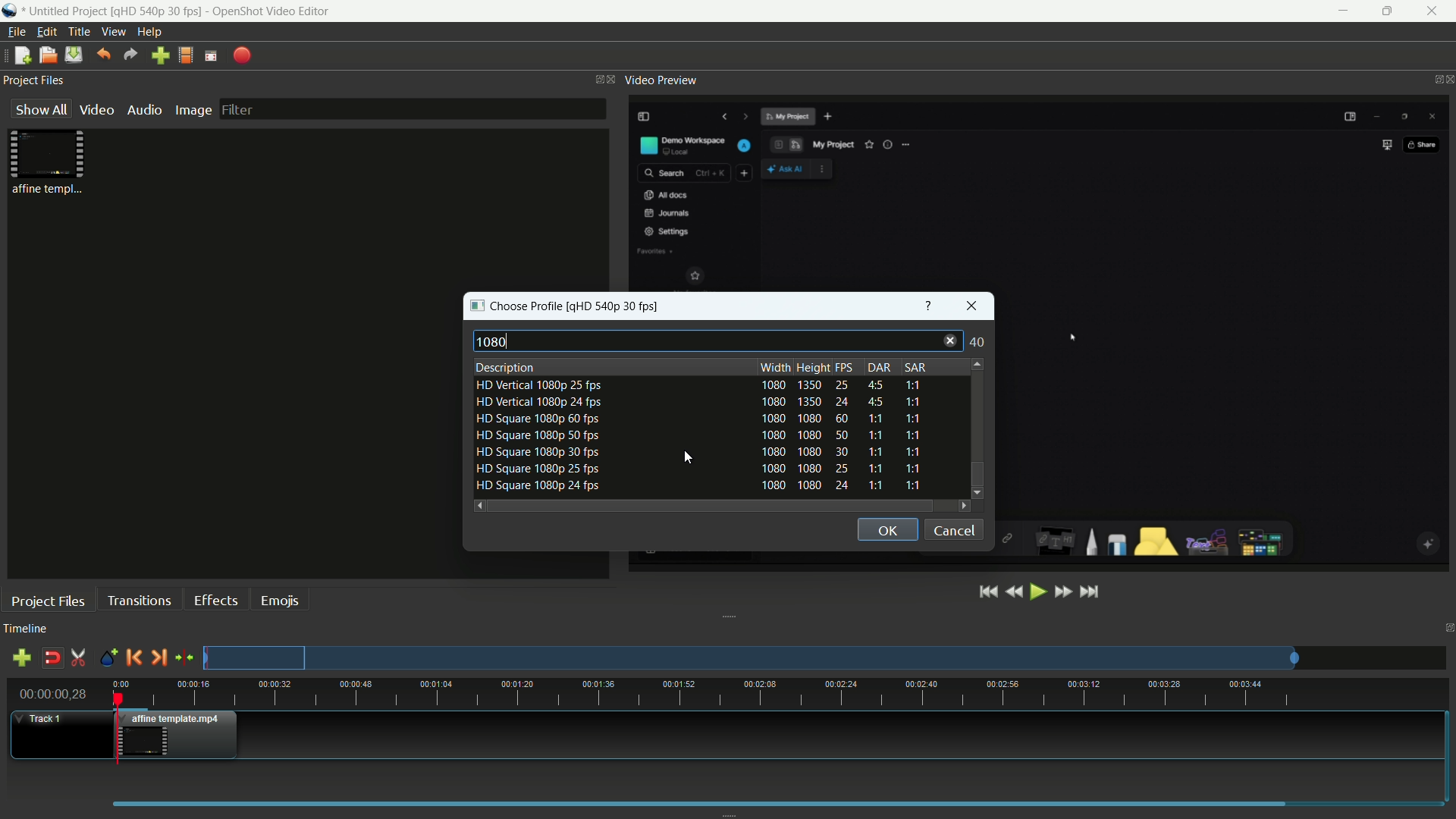 The height and width of the screenshot is (819, 1456). What do you see at coordinates (1438, 11) in the screenshot?
I see `close app` at bounding box center [1438, 11].